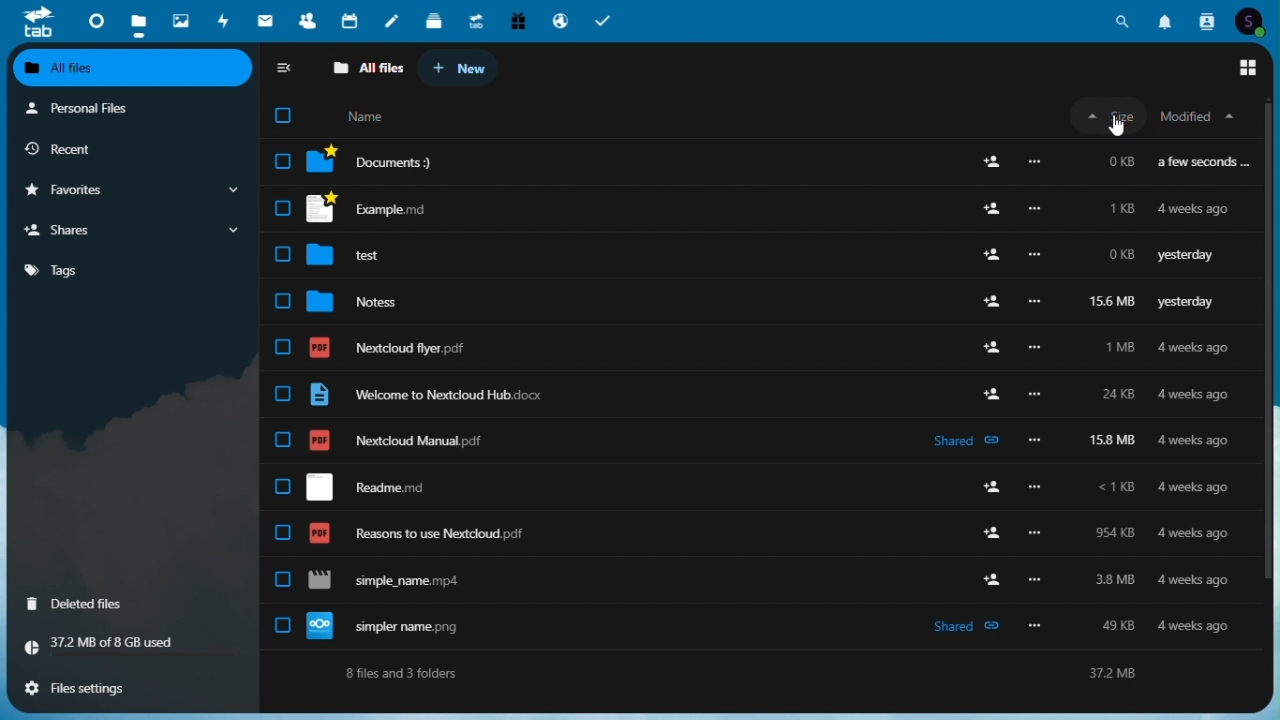  I want to click on modified, so click(1199, 115).